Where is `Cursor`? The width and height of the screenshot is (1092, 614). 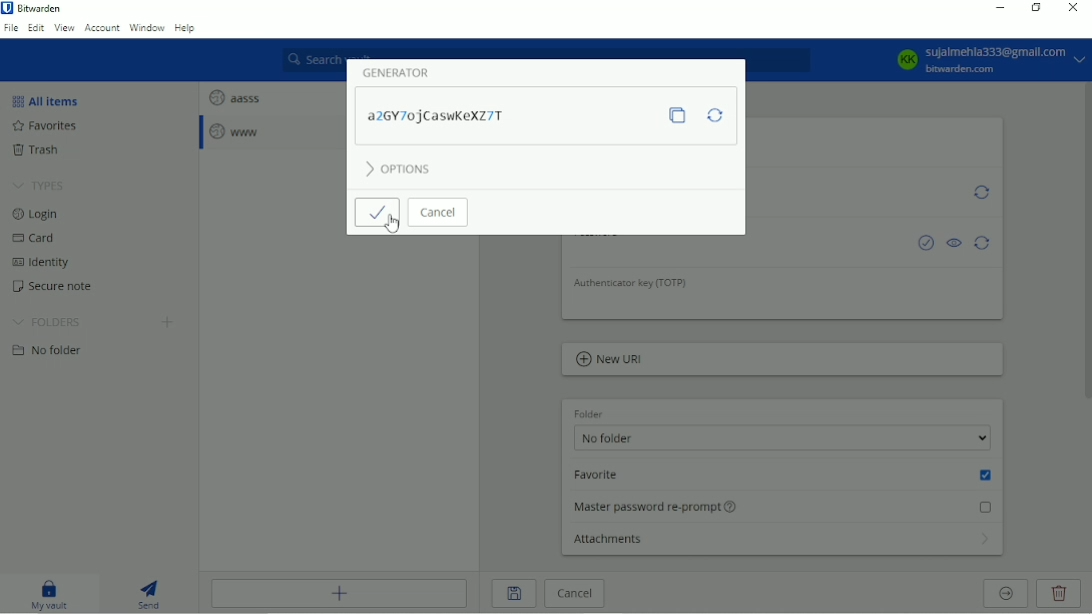 Cursor is located at coordinates (392, 224).